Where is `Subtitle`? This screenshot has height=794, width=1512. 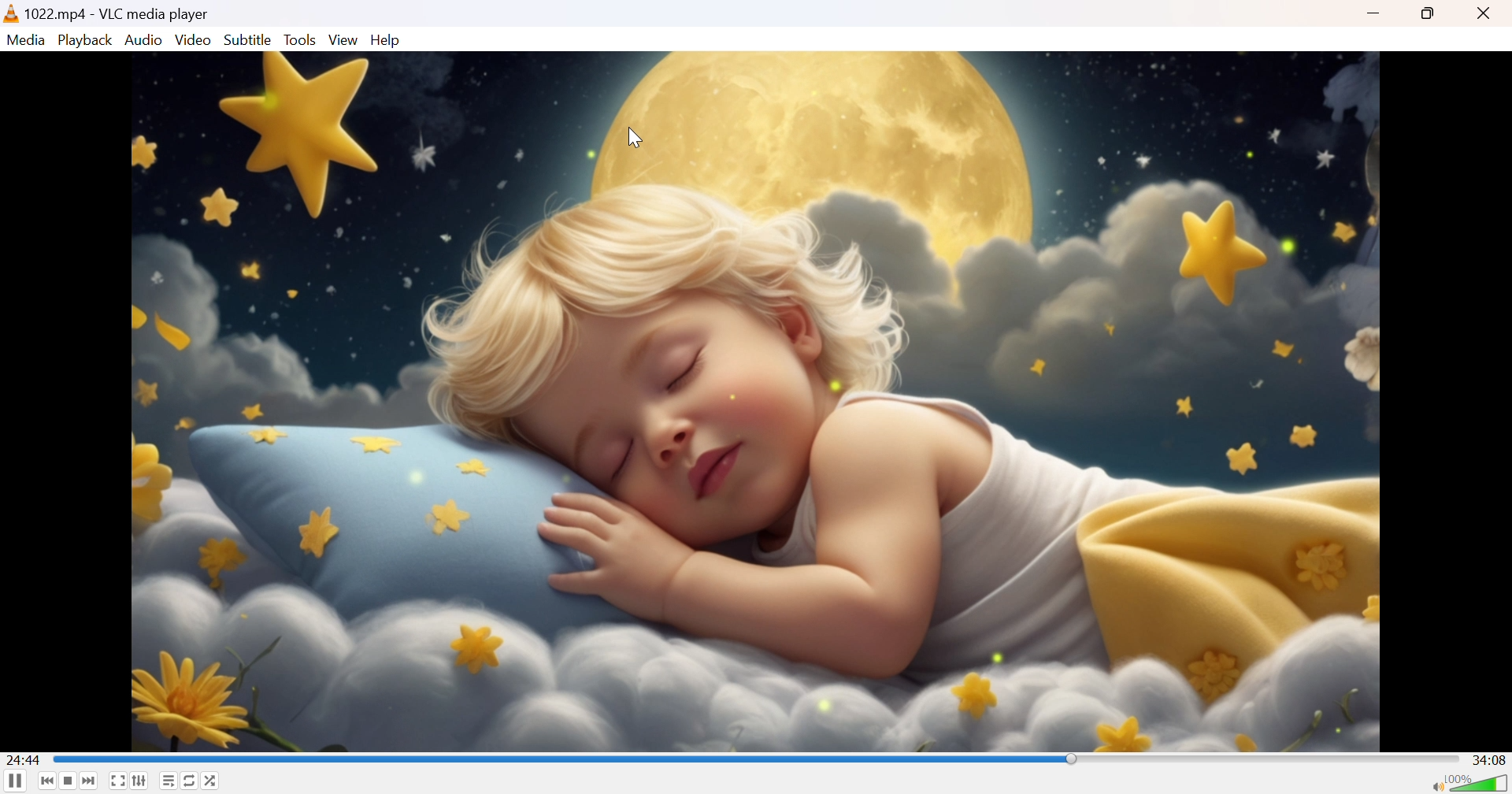
Subtitle is located at coordinates (249, 39).